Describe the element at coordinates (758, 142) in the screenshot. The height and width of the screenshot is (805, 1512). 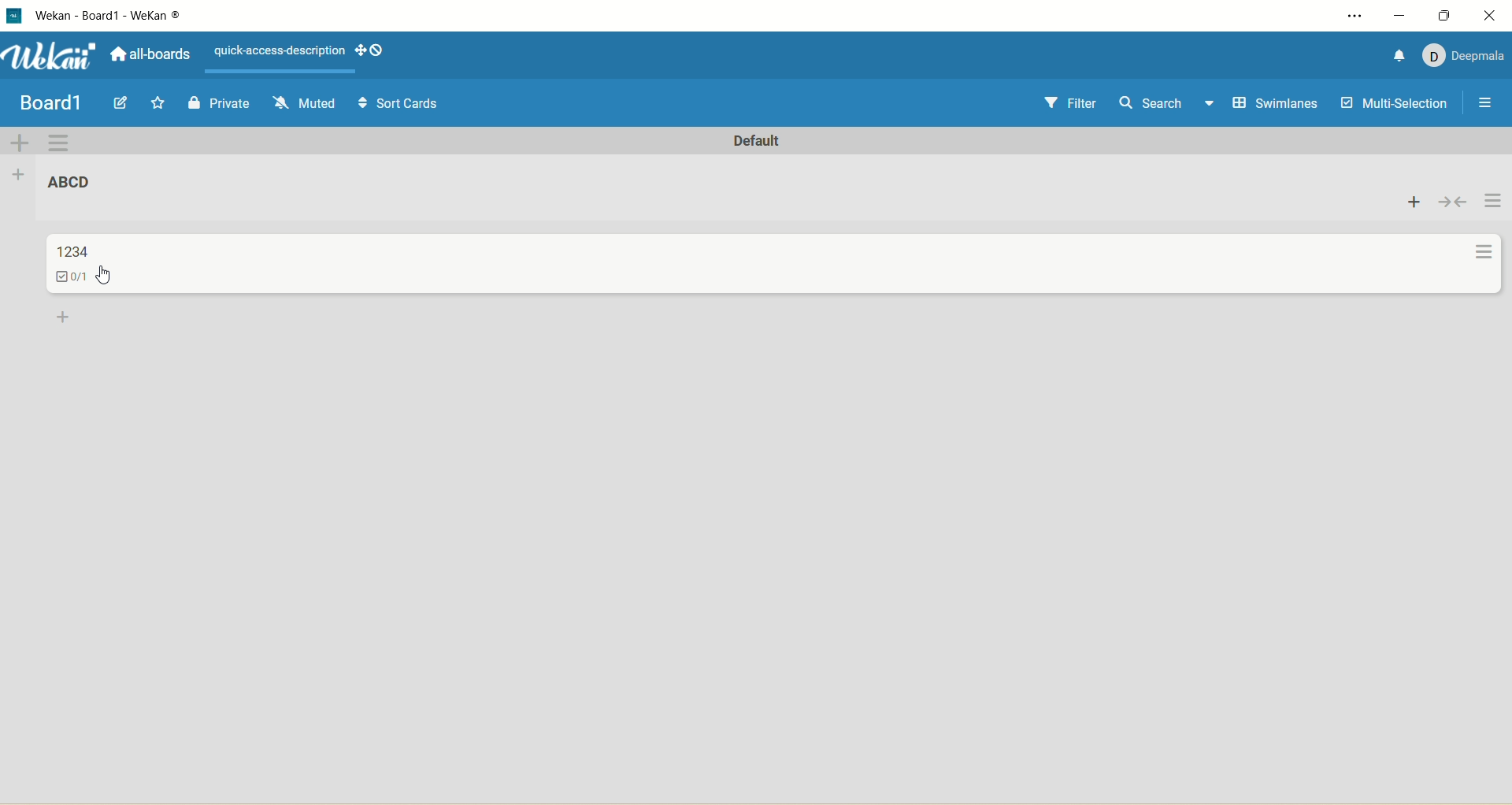
I see `default` at that location.